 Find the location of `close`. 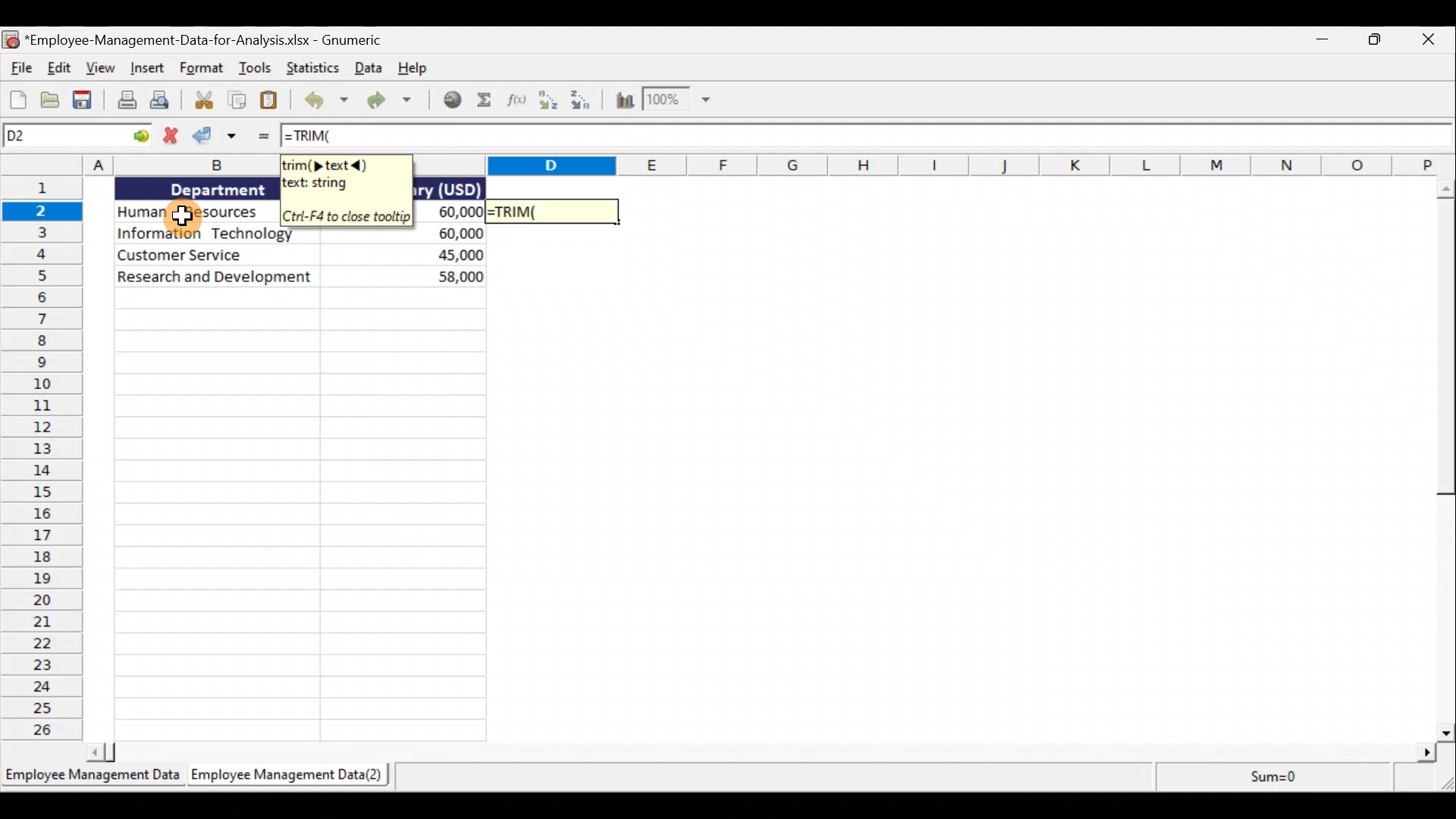

close is located at coordinates (1426, 43).